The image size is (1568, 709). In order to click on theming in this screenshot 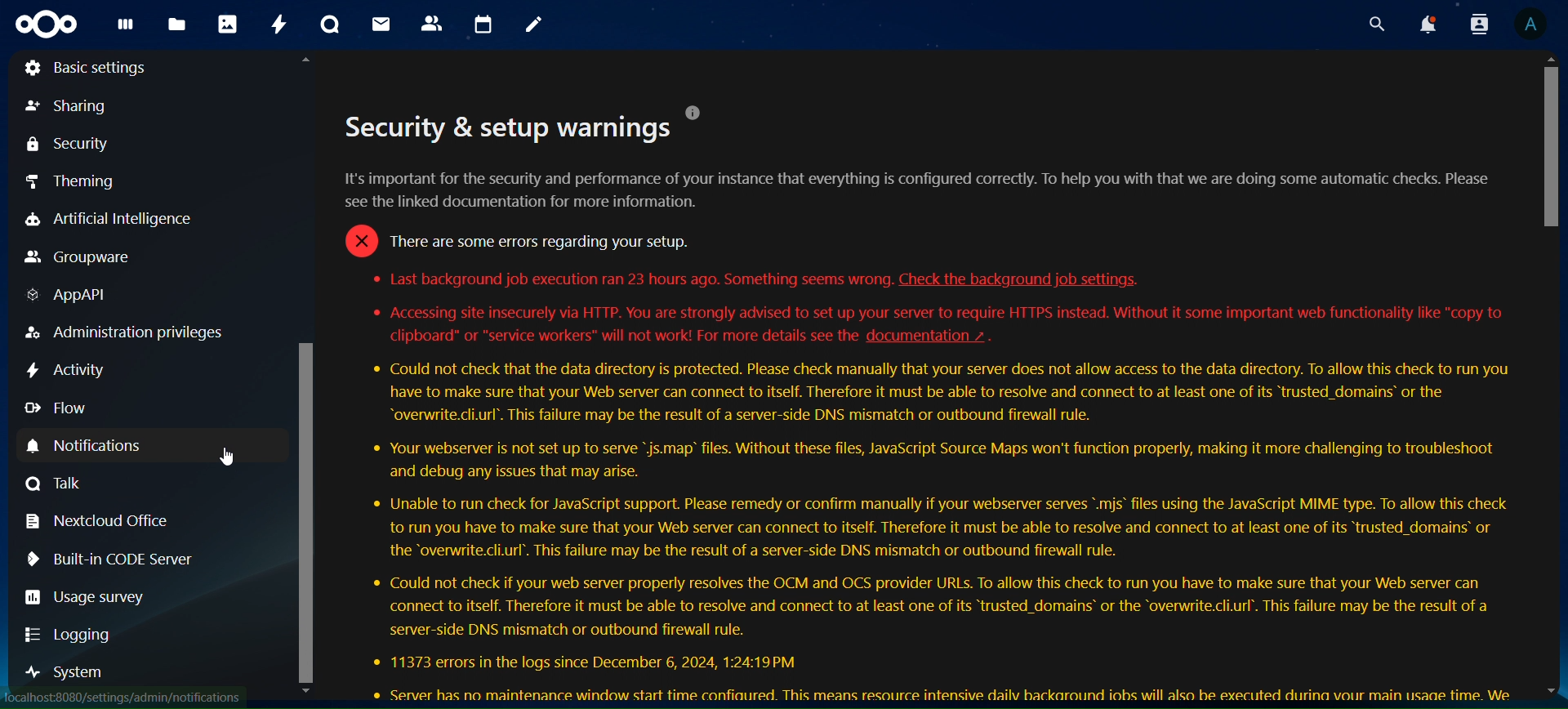, I will do `click(68, 182)`.